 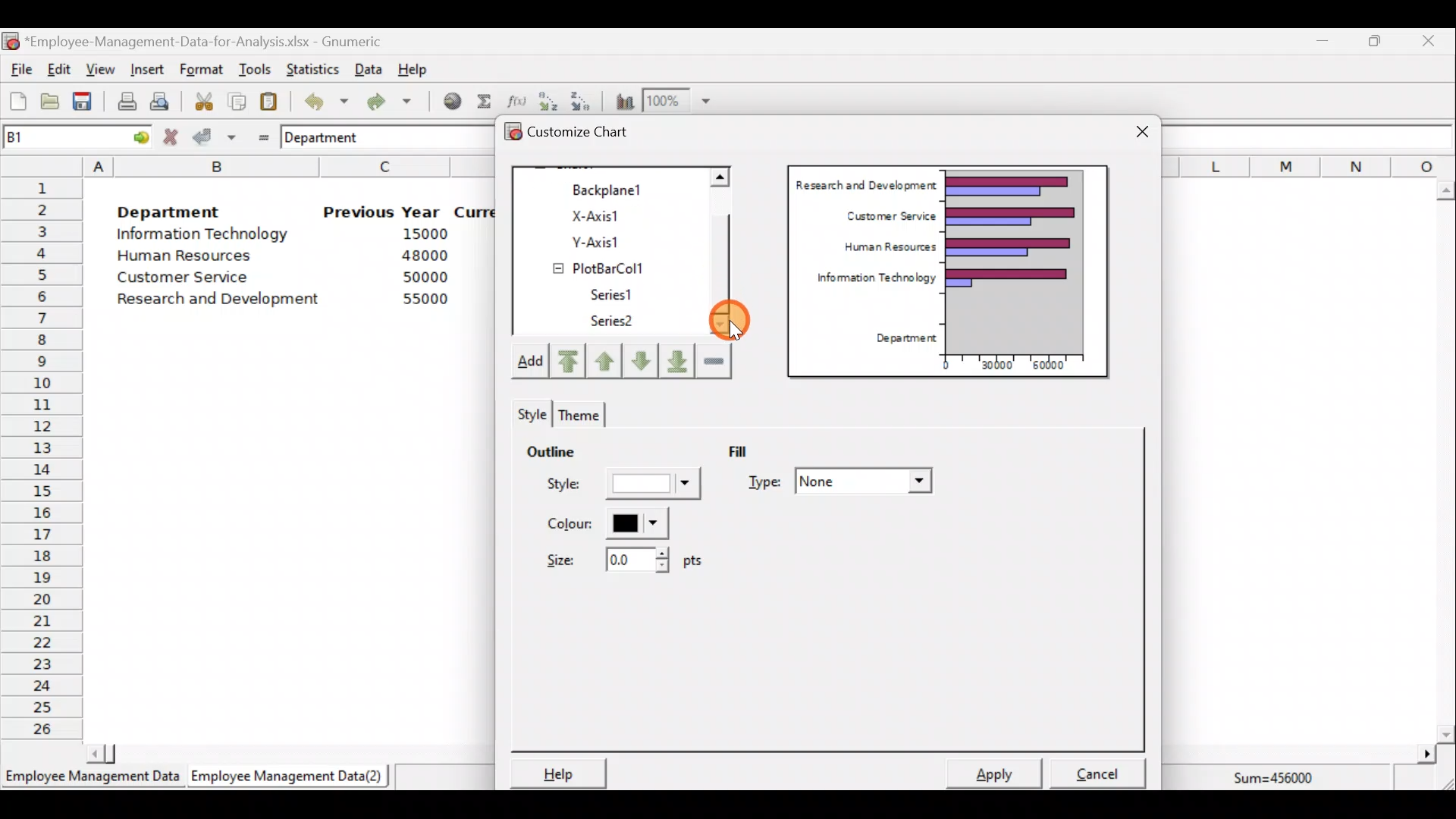 What do you see at coordinates (678, 359) in the screenshot?
I see `Move downward` at bounding box center [678, 359].